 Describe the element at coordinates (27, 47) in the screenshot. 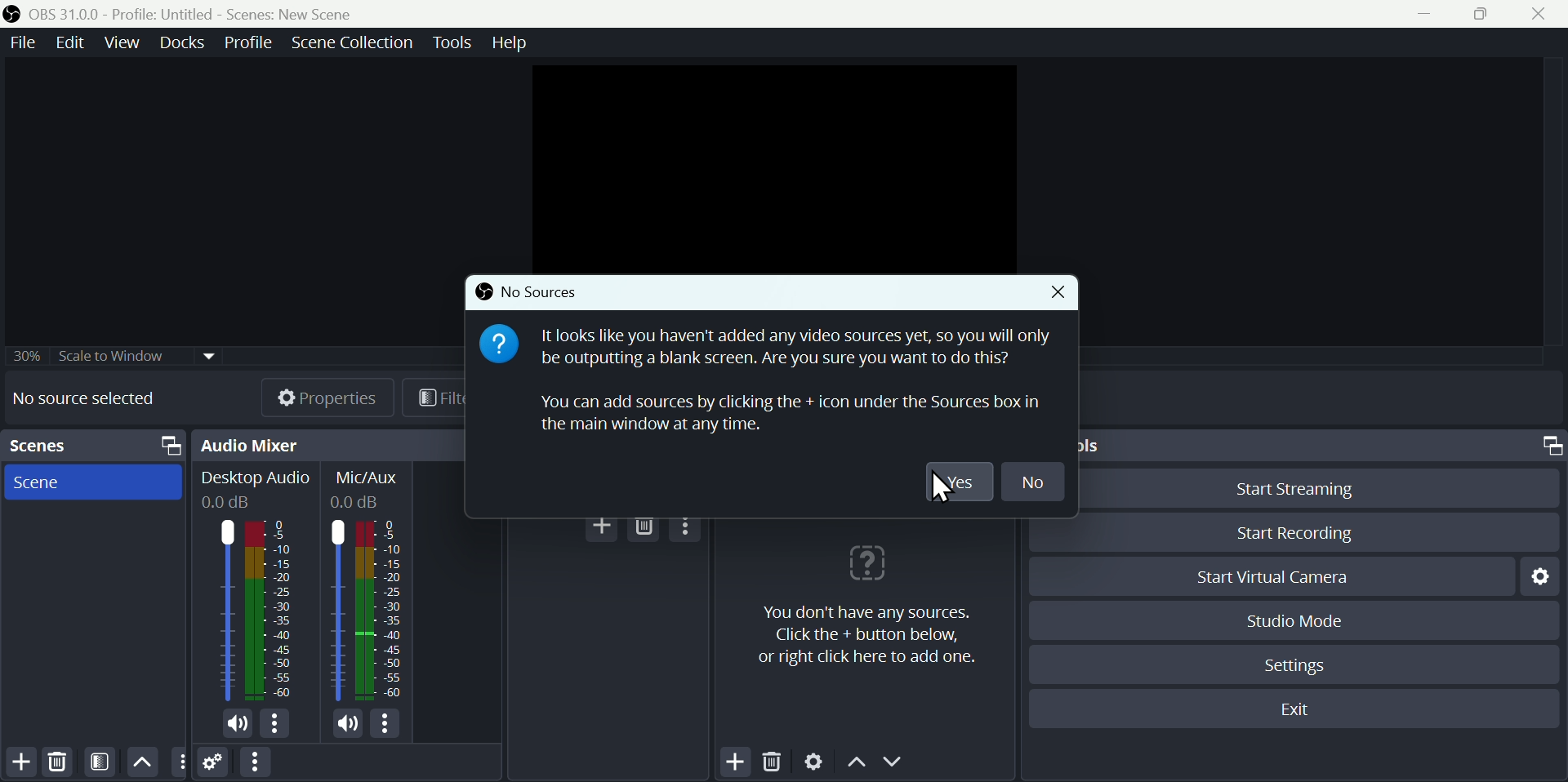

I see `File` at that location.